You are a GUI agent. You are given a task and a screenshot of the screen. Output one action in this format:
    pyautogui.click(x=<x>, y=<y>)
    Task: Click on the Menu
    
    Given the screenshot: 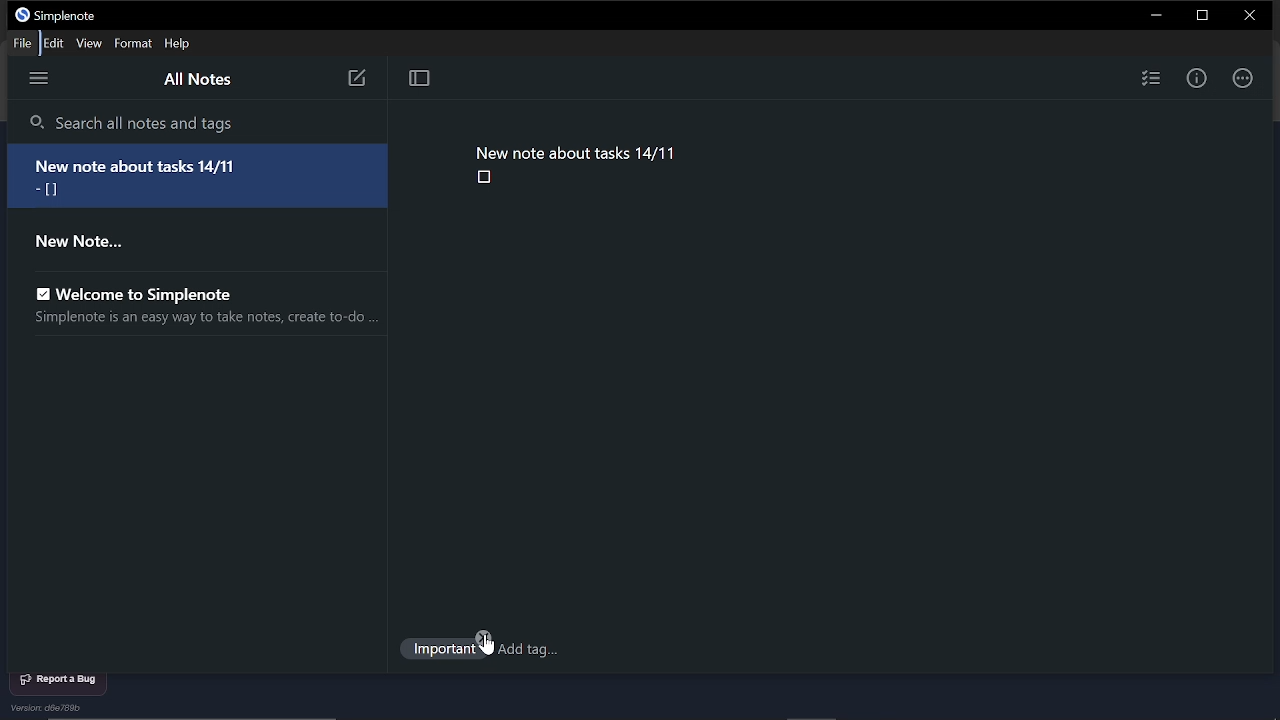 What is the action you would take?
    pyautogui.click(x=44, y=80)
    